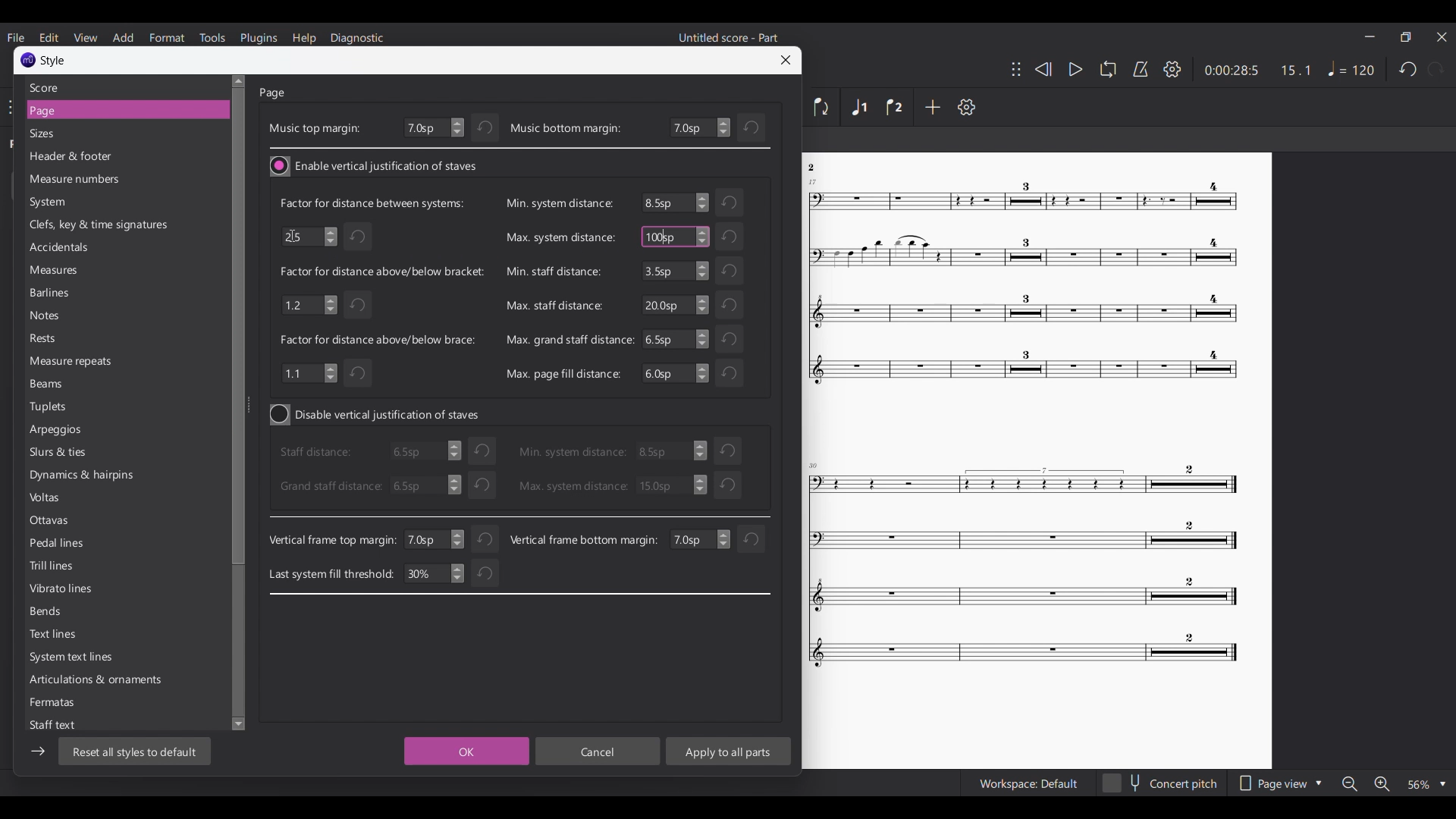 This screenshot has width=1456, height=819. What do you see at coordinates (79, 500) in the screenshot?
I see `Volts` at bounding box center [79, 500].